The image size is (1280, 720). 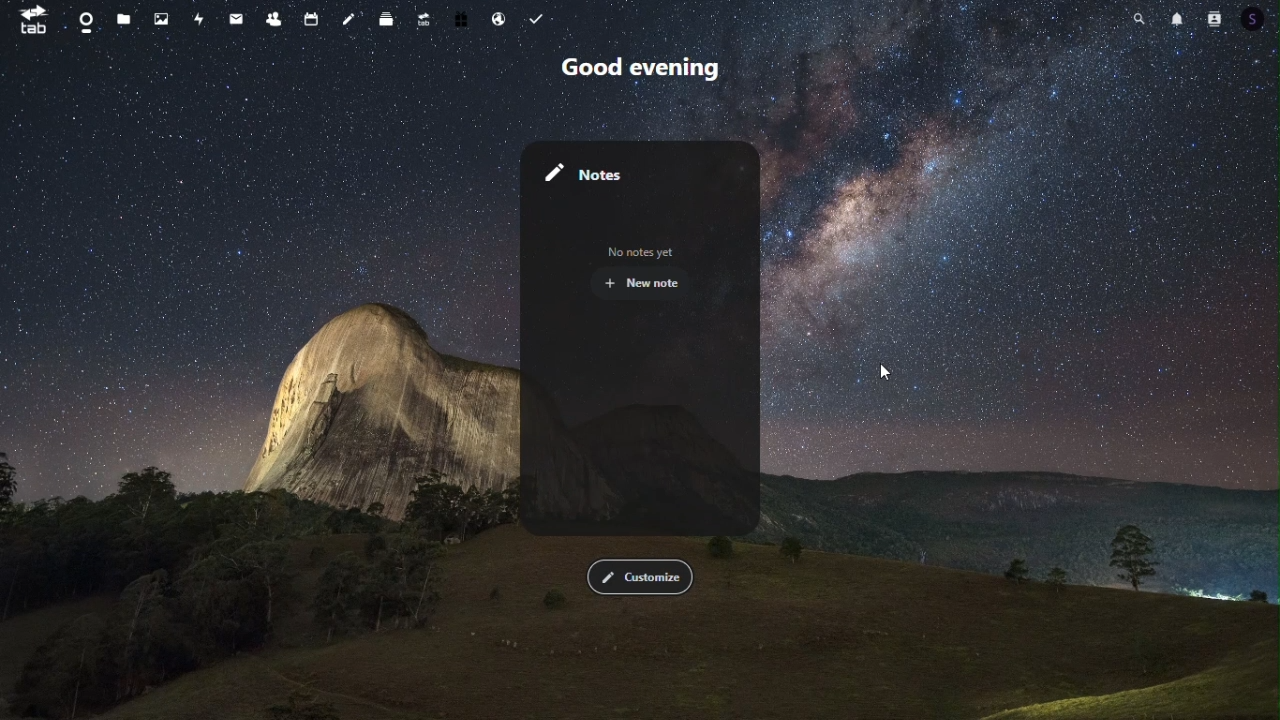 What do you see at coordinates (1216, 18) in the screenshot?
I see `Contacts` at bounding box center [1216, 18].